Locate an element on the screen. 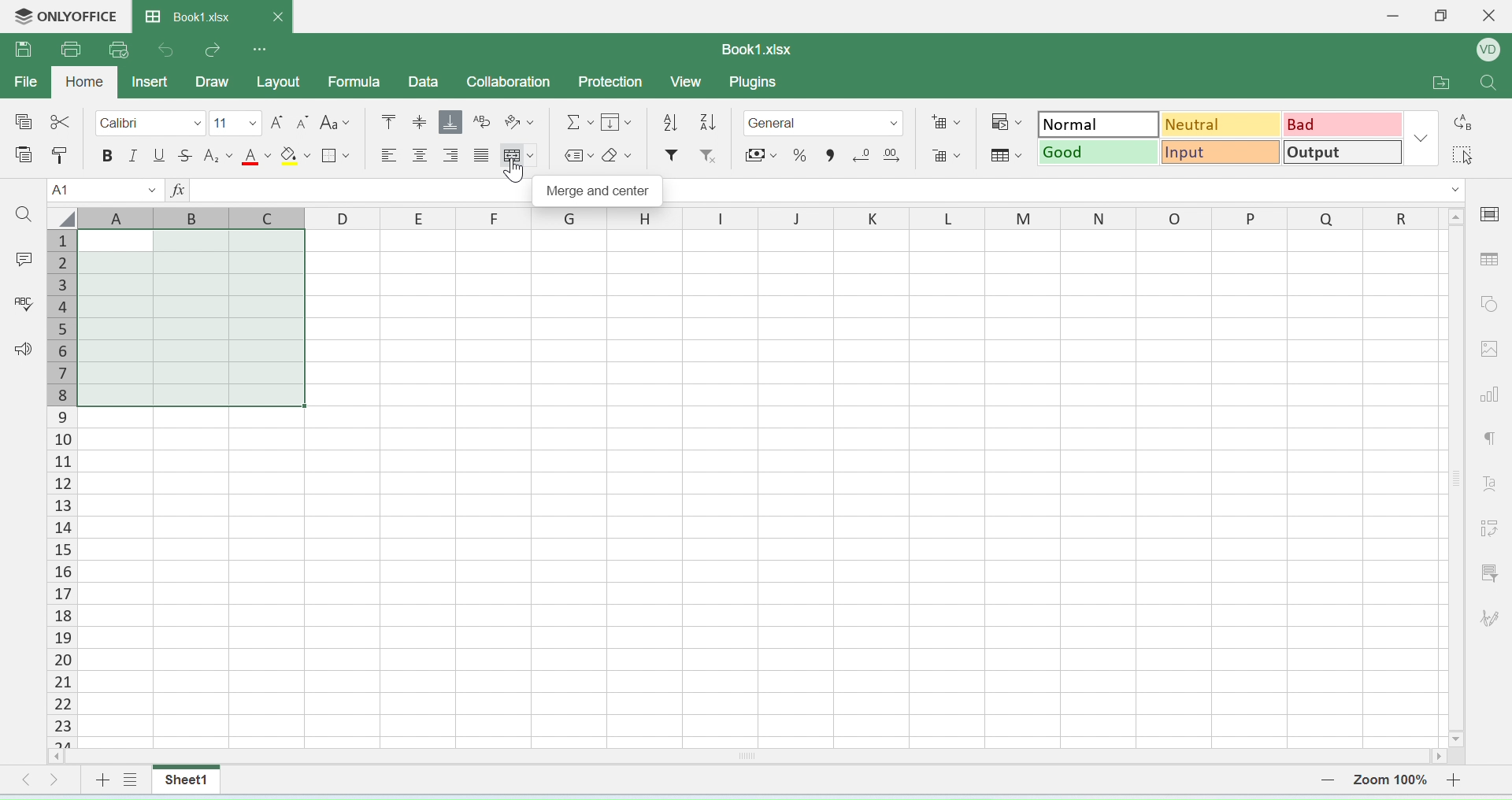 This screenshot has width=1512, height=800. protection is located at coordinates (608, 82).